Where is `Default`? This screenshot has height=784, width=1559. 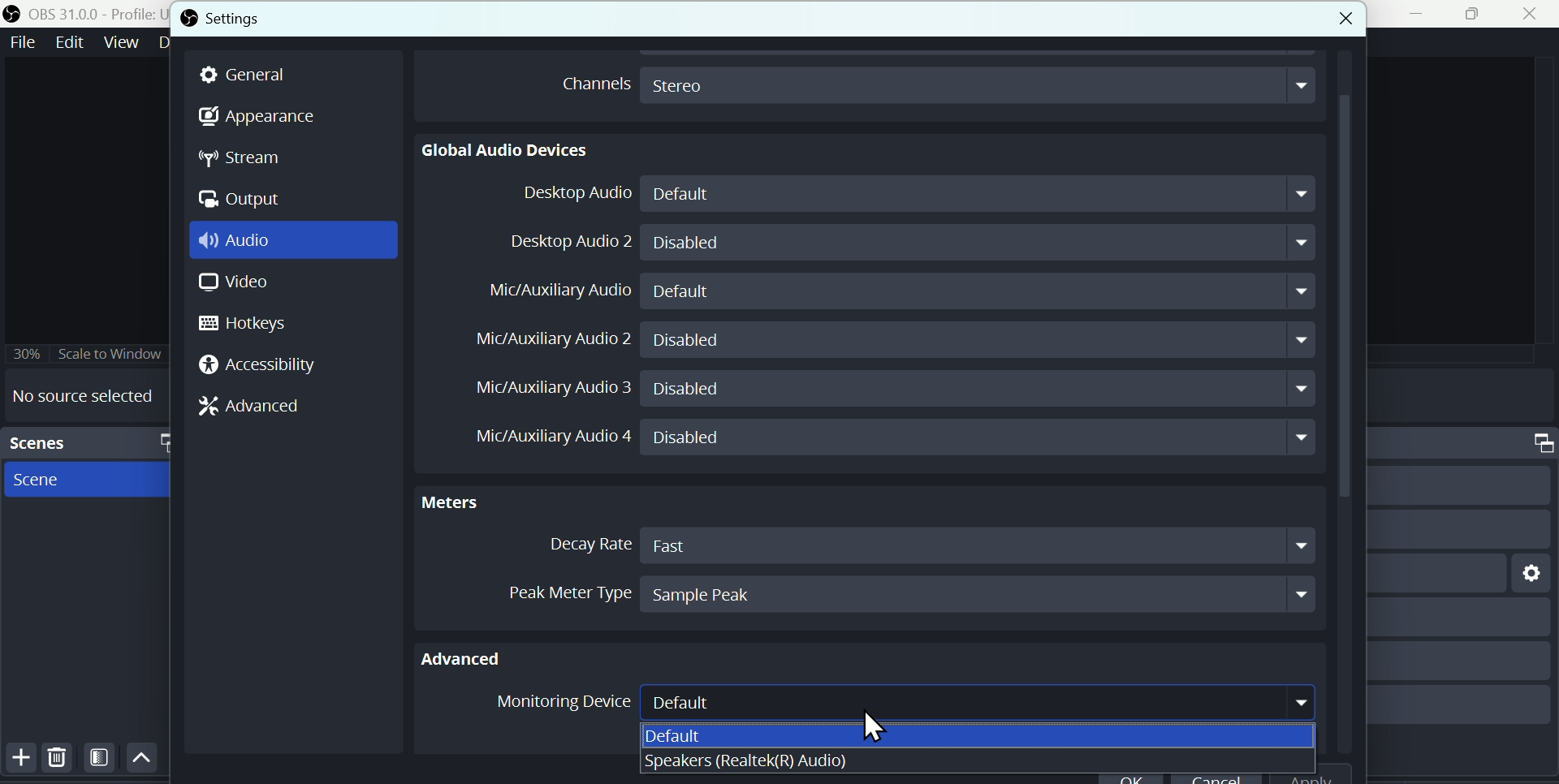
Default is located at coordinates (712, 735).